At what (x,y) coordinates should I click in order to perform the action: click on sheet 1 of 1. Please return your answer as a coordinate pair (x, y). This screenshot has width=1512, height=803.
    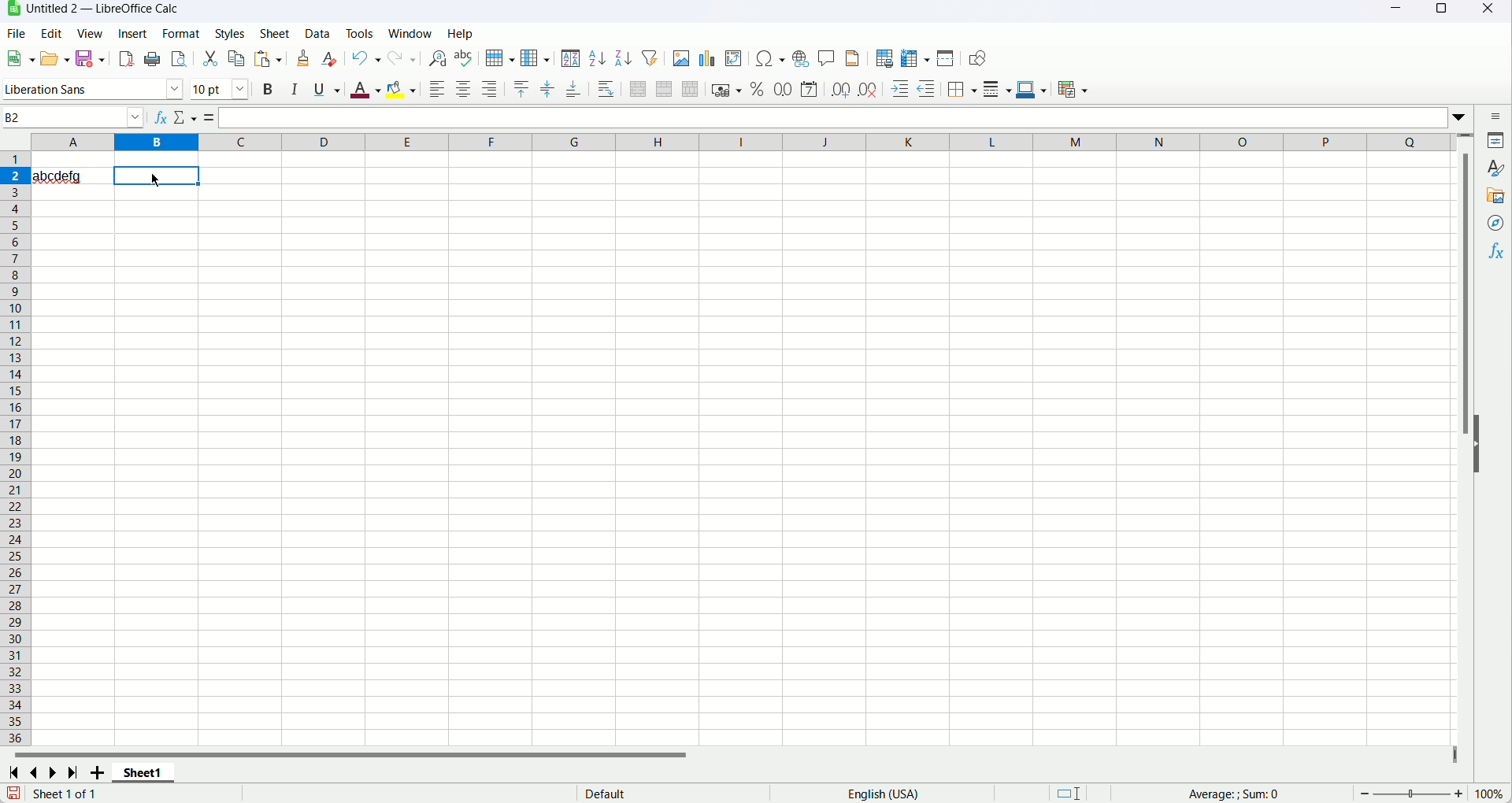
    Looking at the image, I should click on (69, 794).